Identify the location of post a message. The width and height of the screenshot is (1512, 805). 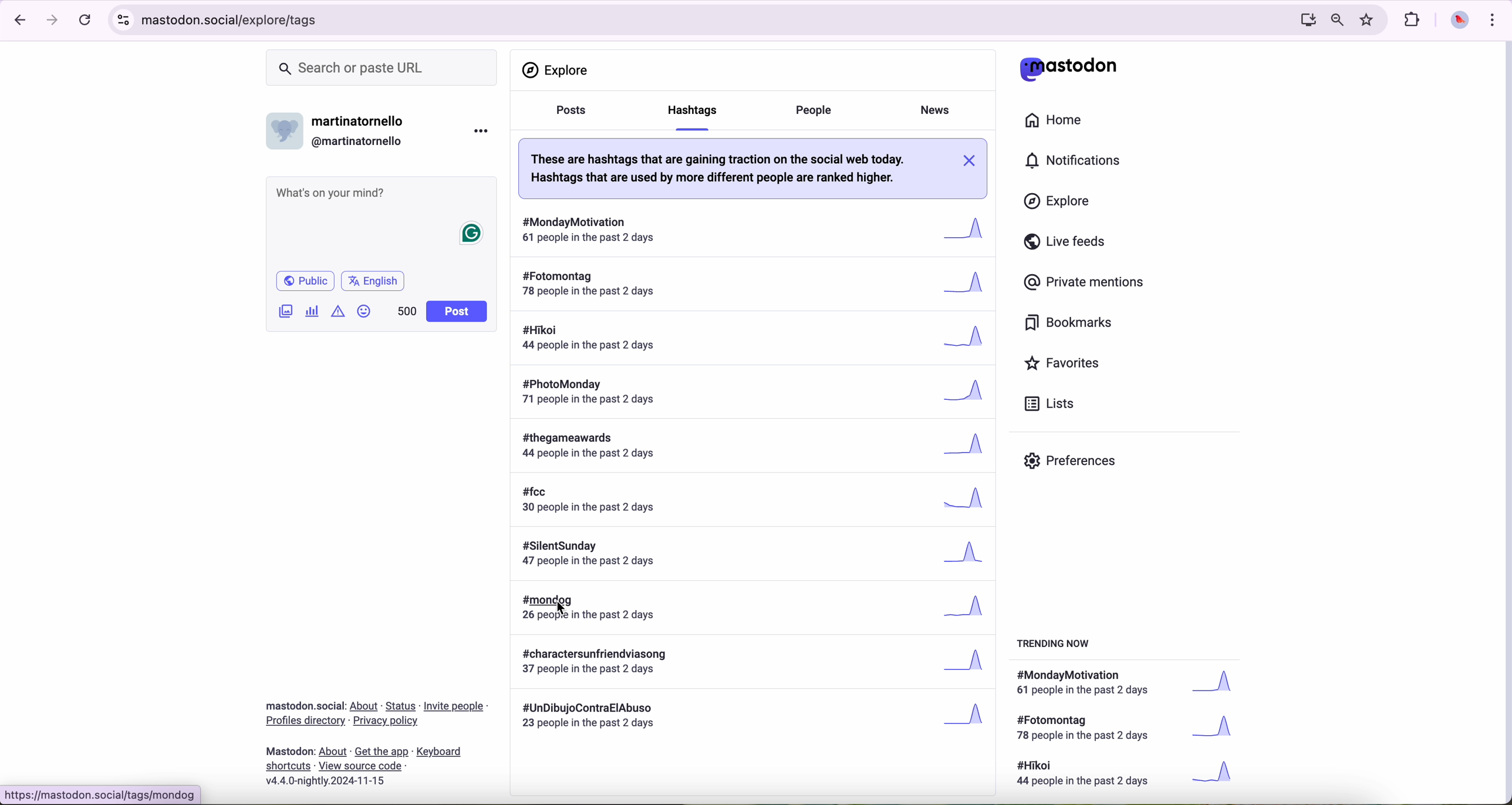
(383, 194).